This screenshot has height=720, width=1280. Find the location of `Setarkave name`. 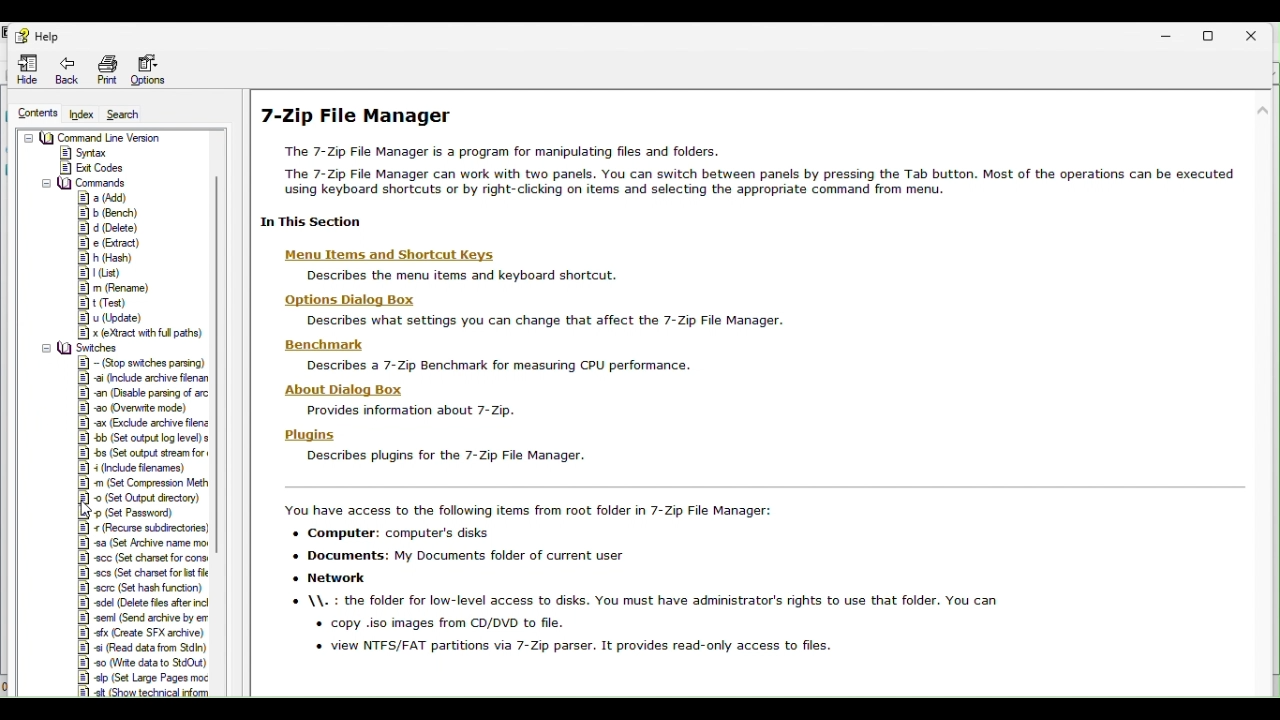

Setarkave name is located at coordinates (146, 543).